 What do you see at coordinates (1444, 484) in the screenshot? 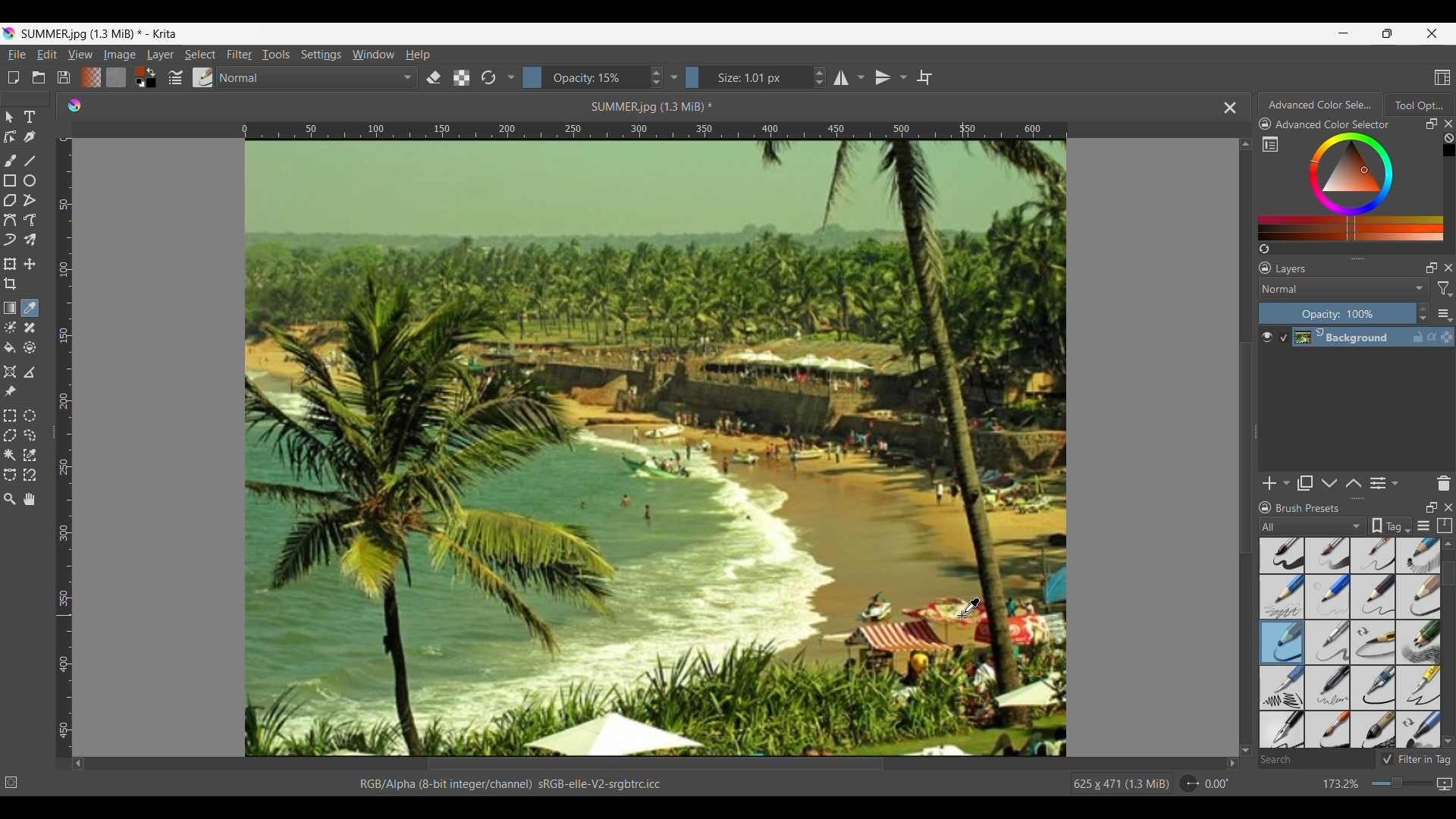
I see `Delete presets` at bounding box center [1444, 484].